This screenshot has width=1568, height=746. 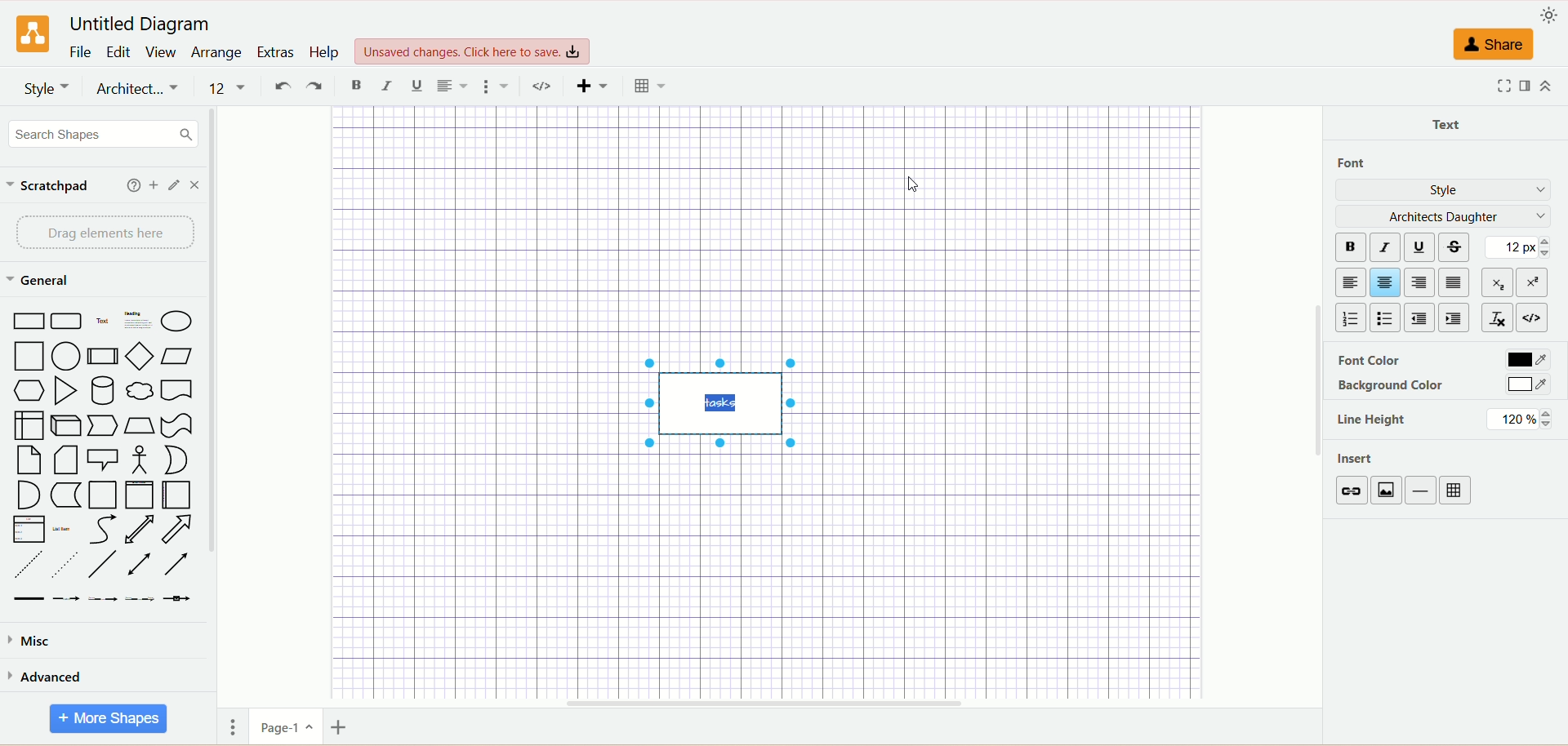 I want to click on Folded Page, so click(x=65, y=461).